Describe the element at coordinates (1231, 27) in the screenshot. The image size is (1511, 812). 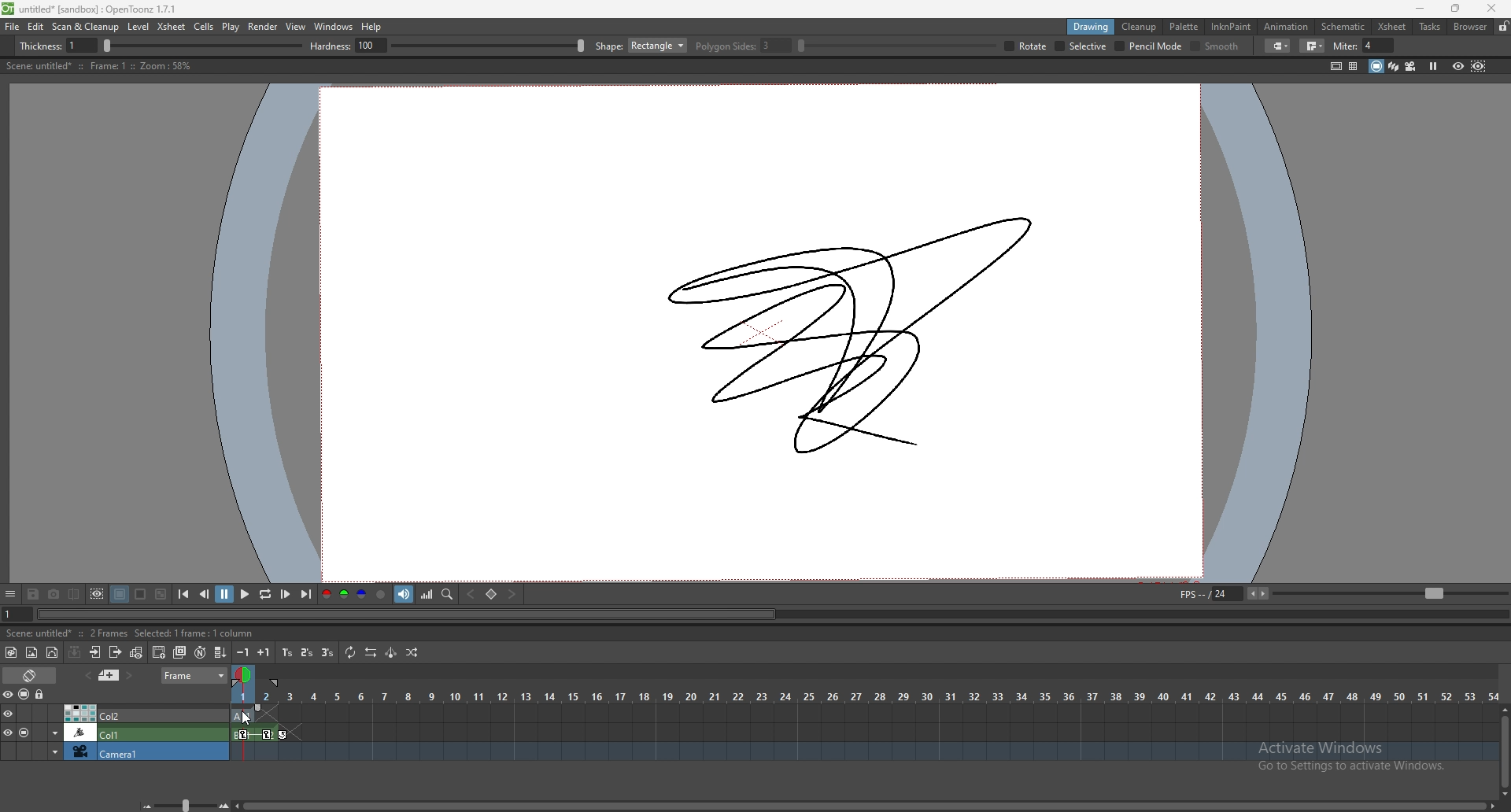
I see `inknpaint` at that location.